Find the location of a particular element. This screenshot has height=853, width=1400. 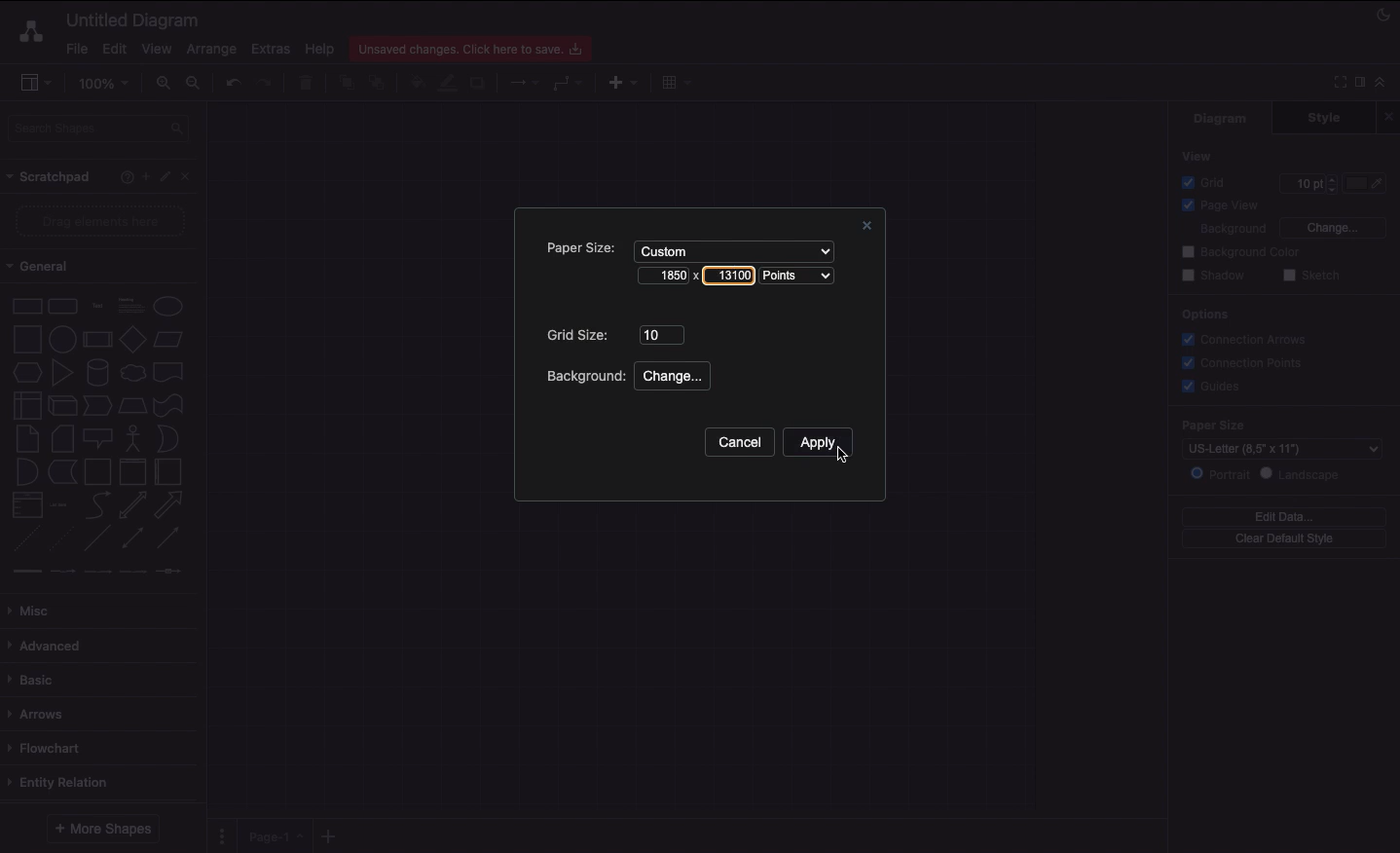

Unsaved changes is located at coordinates (473, 46).